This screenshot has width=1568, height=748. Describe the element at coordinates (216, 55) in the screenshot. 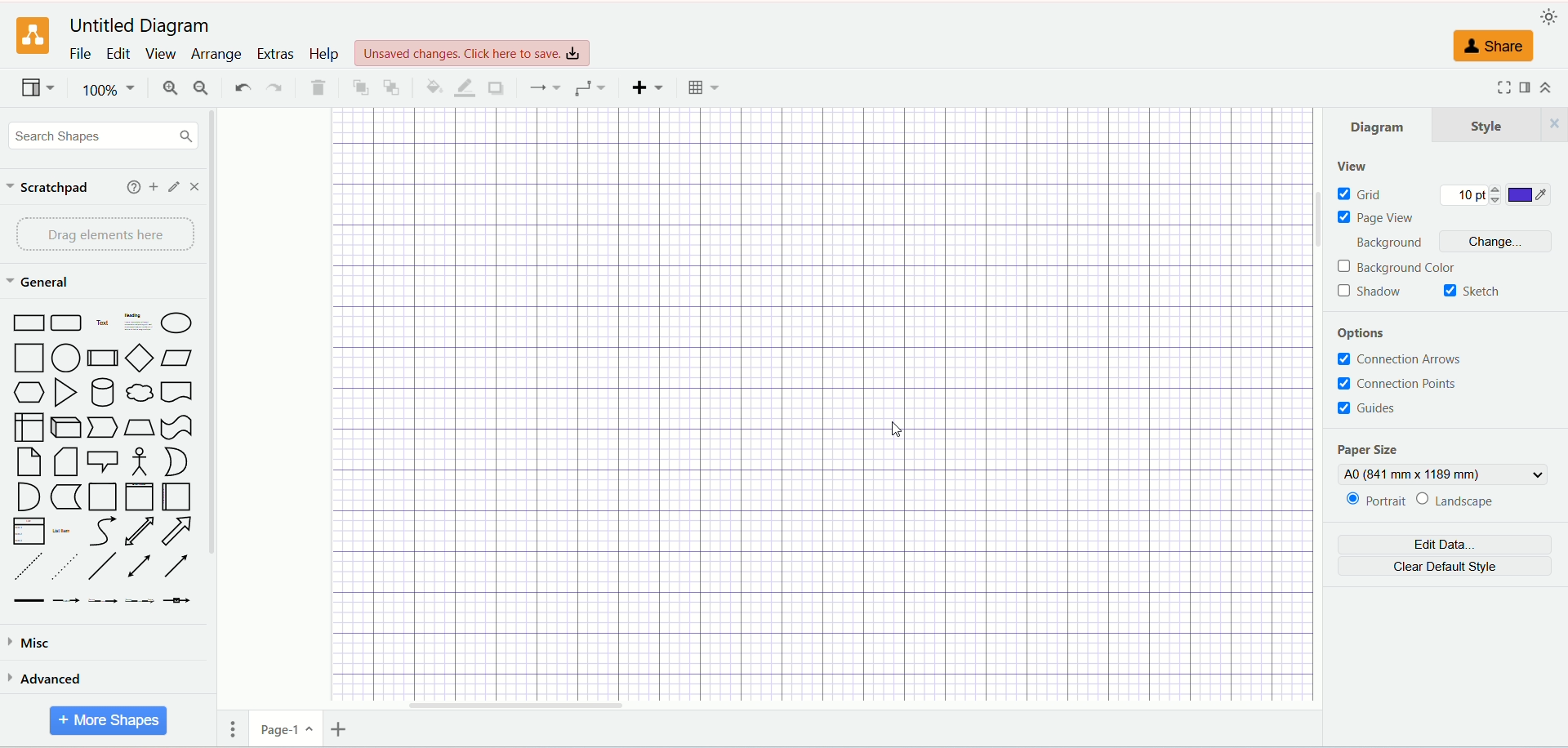

I see `arrange` at that location.